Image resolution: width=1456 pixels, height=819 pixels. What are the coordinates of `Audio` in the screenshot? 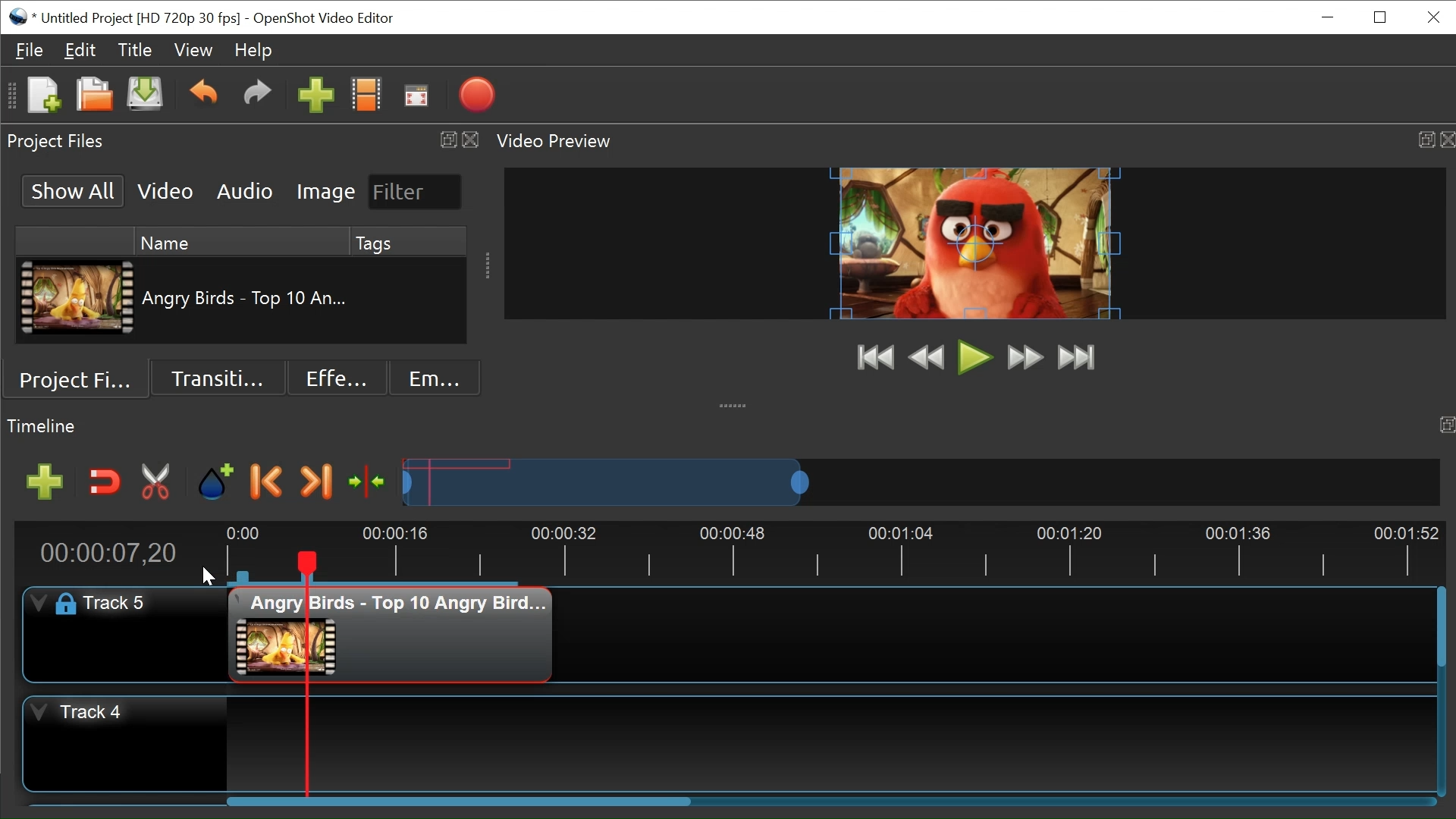 It's located at (246, 190).